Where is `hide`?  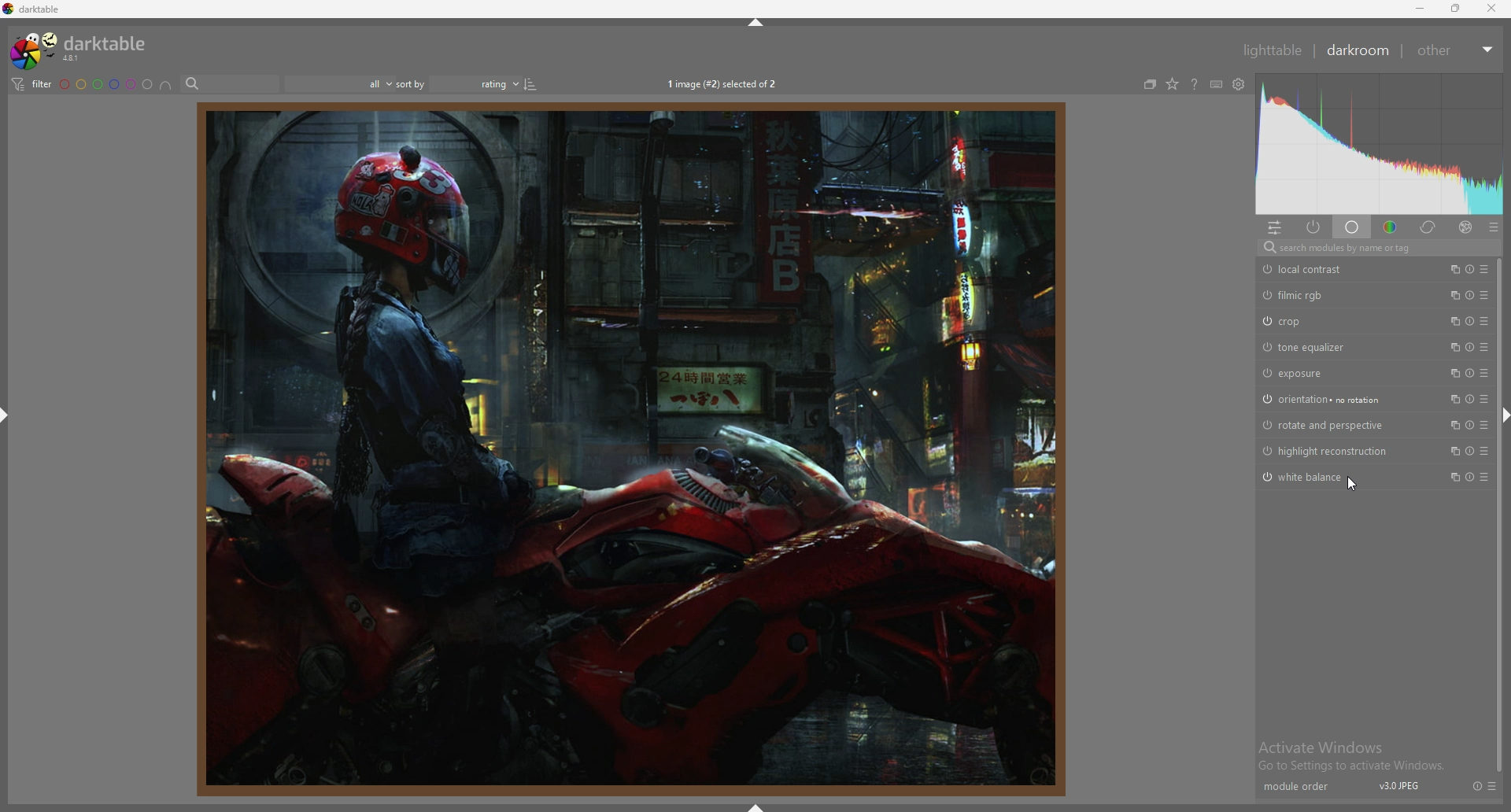
hide is located at coordinates (780, 806).